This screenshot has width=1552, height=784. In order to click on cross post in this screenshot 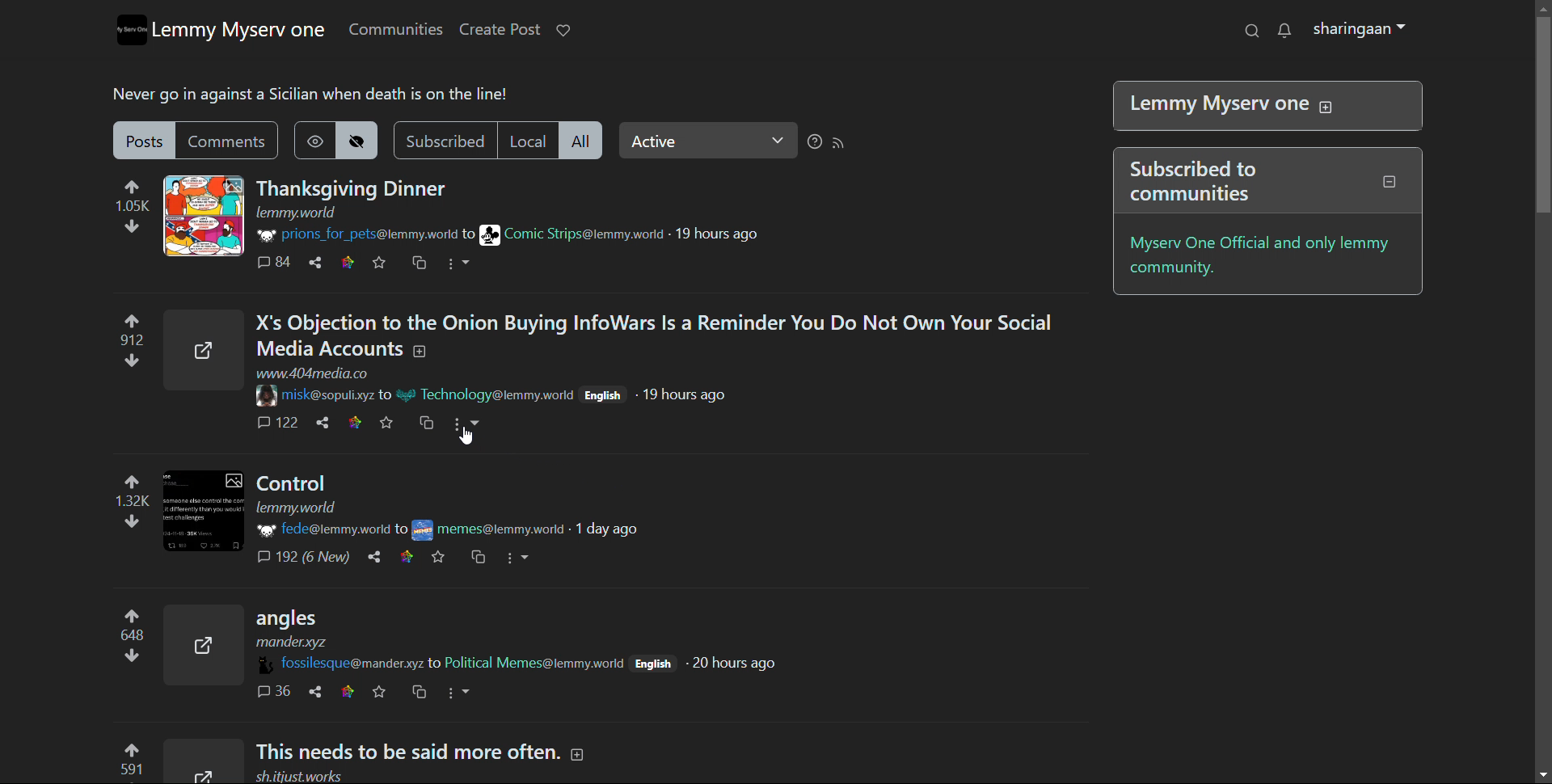, I will do `click(420, 693)`.